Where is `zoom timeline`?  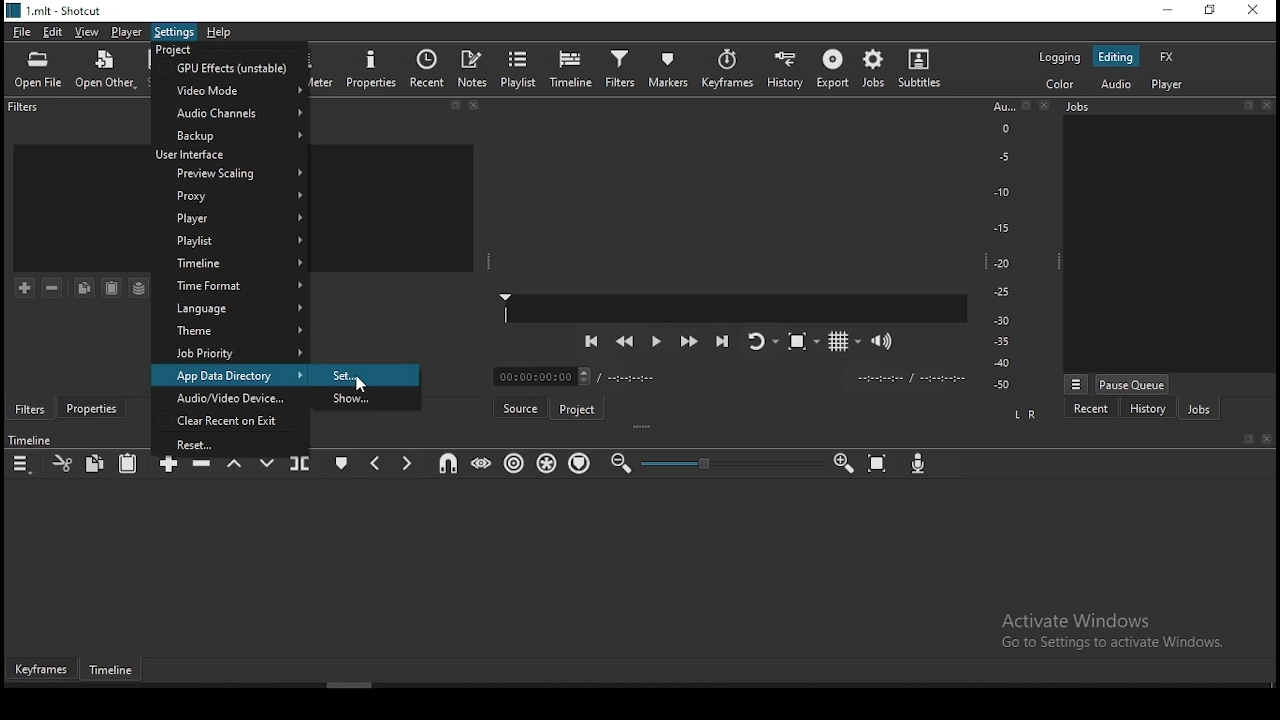
zoom timeline is located at coordinates (843, 463).